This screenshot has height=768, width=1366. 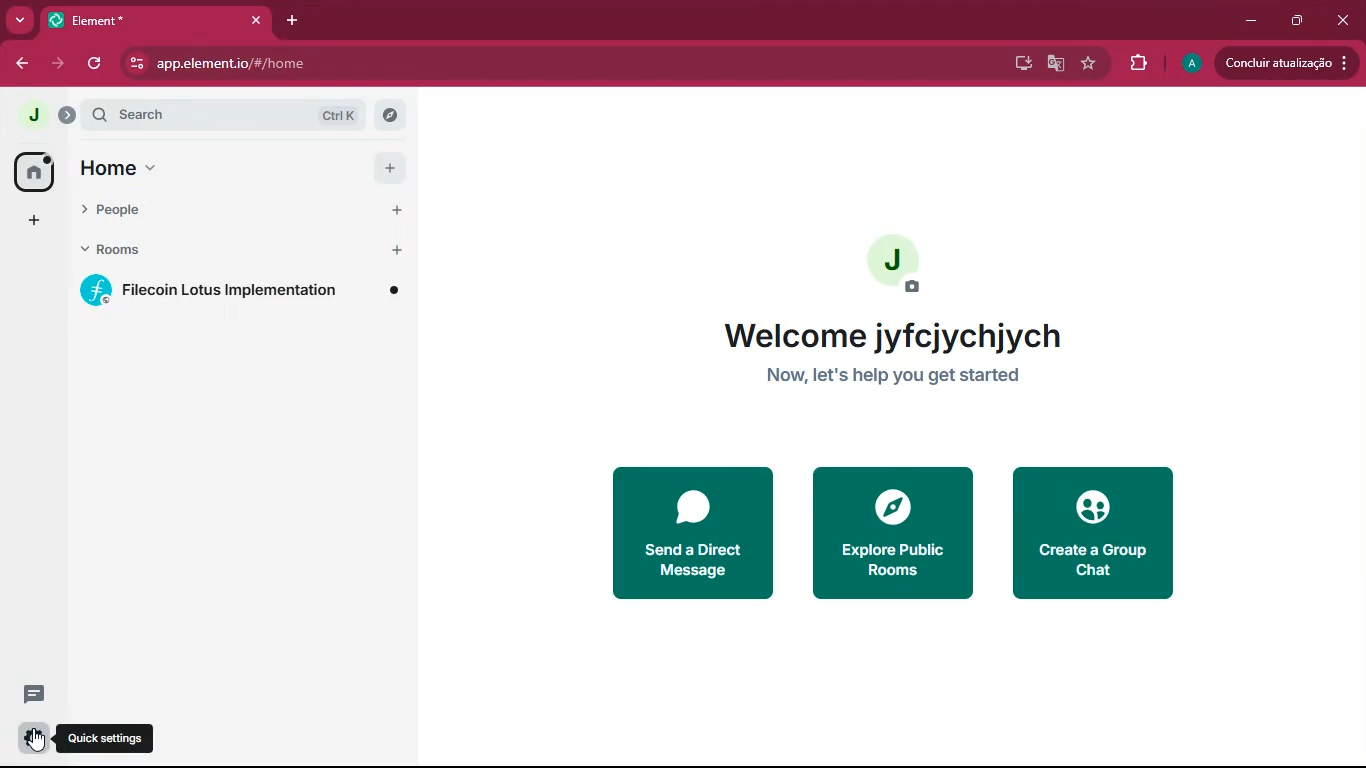 What do you see at coordinates (891, 264) in the screenshot?
I see `profile picture` at bounding box center [891, 264].